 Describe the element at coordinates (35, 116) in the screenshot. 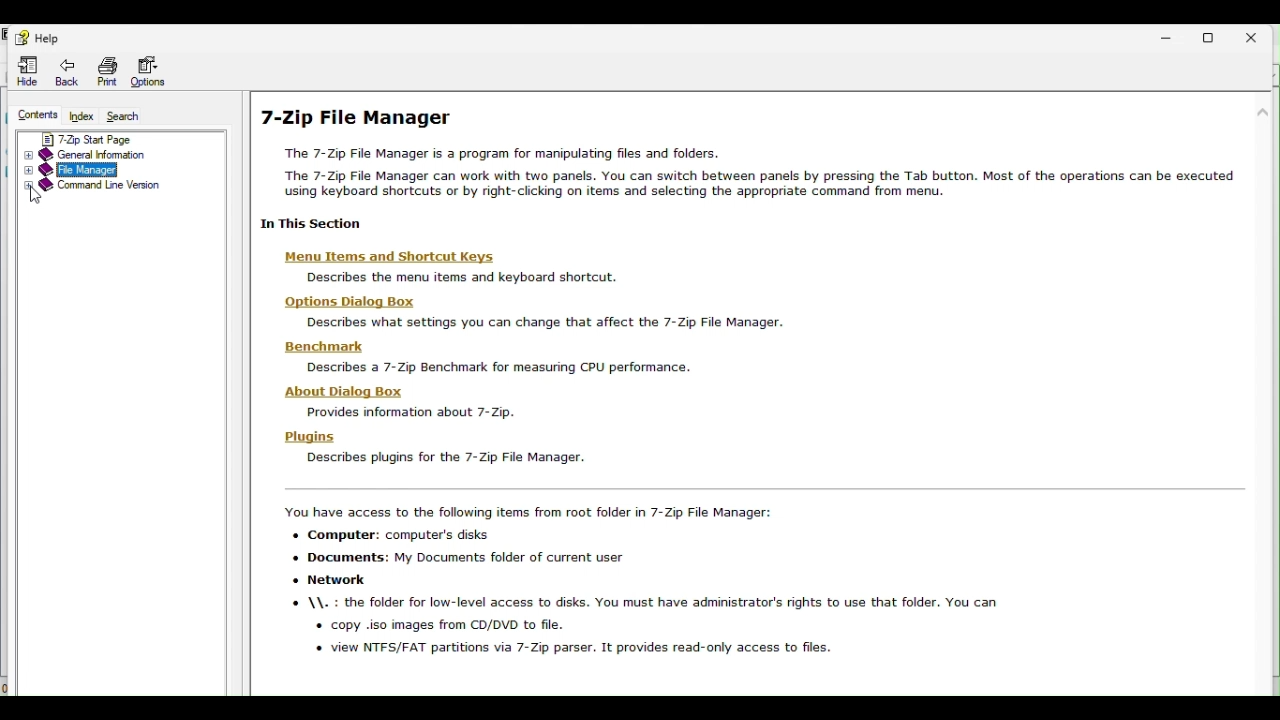

I see `contents` at that location.